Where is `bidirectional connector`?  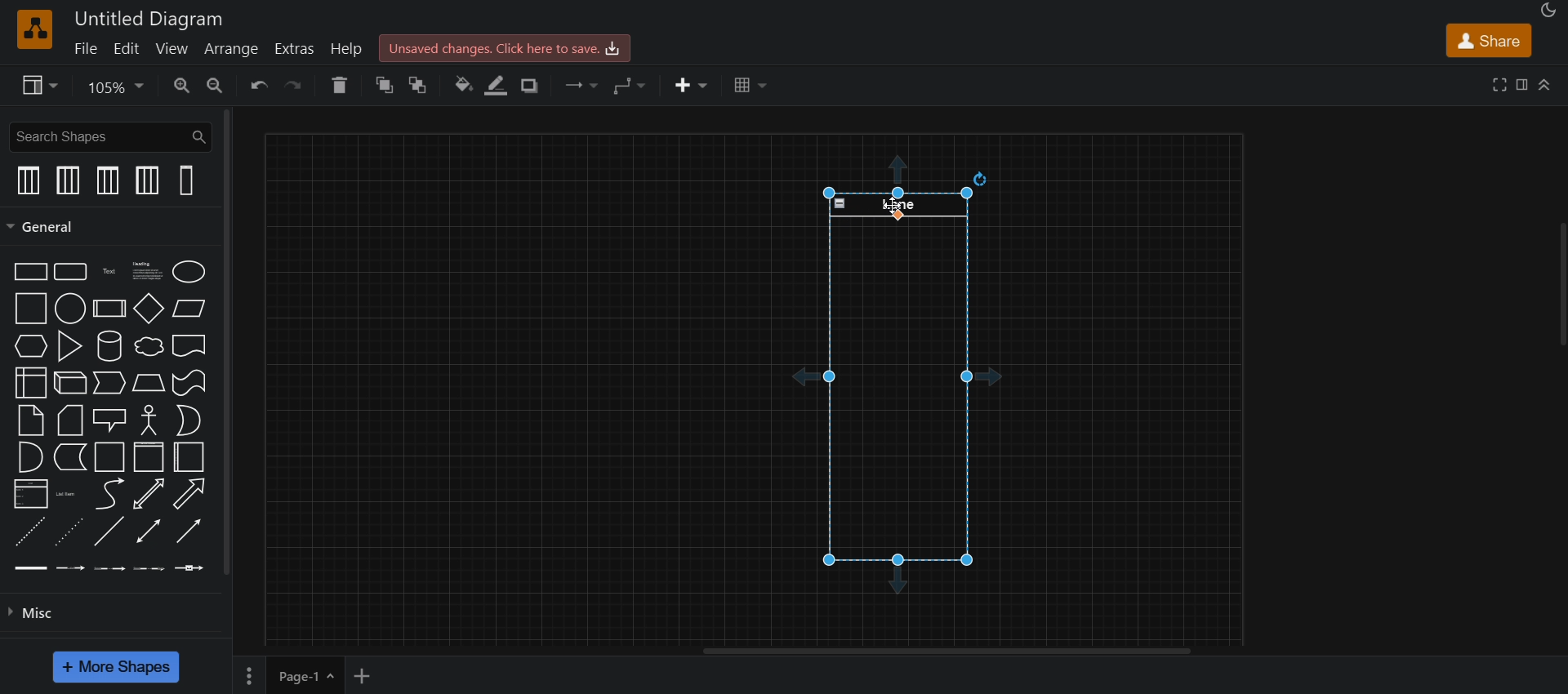 bidirectional connector is located at coordinates (148, 535).